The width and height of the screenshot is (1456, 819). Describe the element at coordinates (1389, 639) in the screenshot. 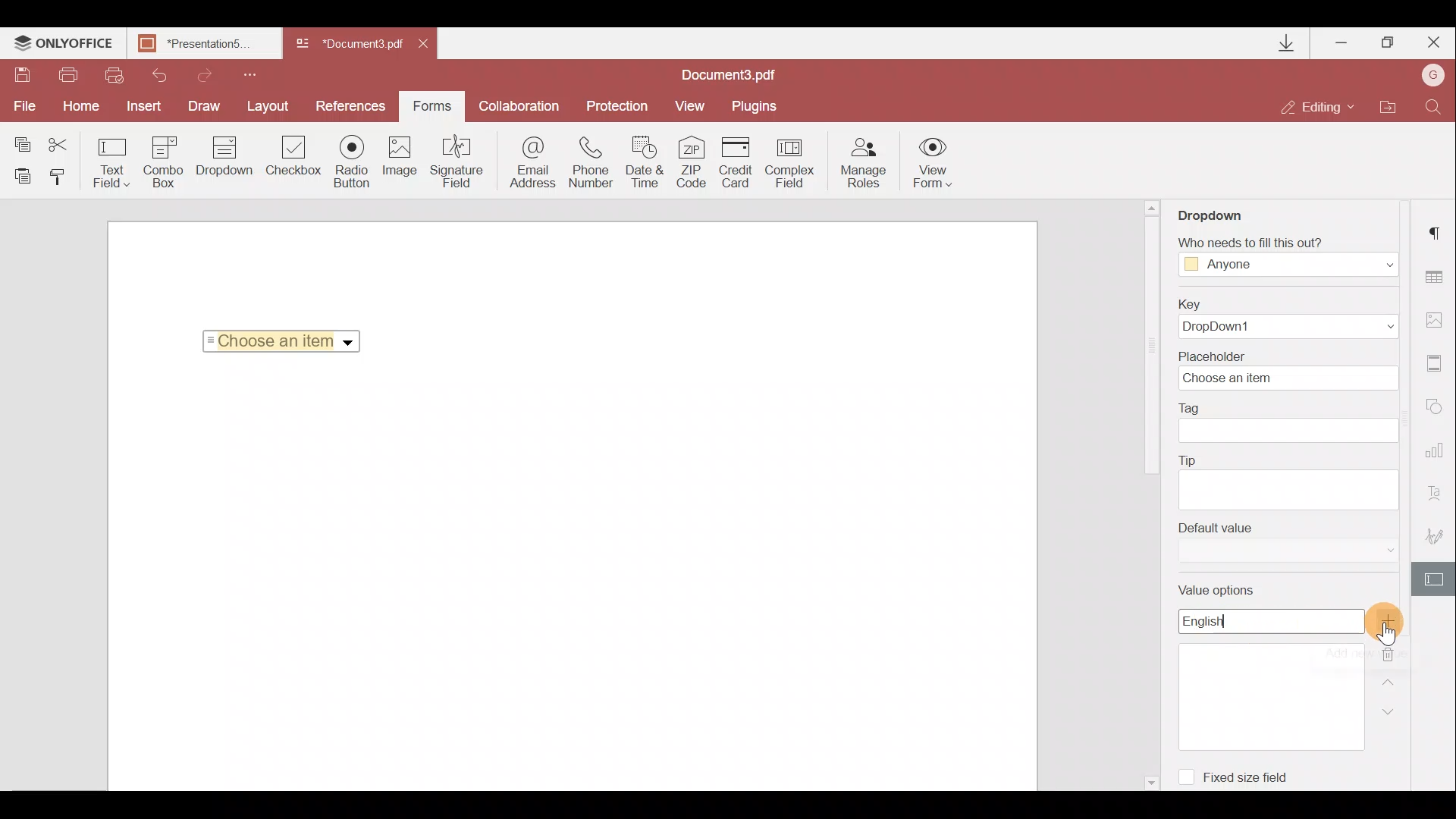

I see `Cursor` at that location.